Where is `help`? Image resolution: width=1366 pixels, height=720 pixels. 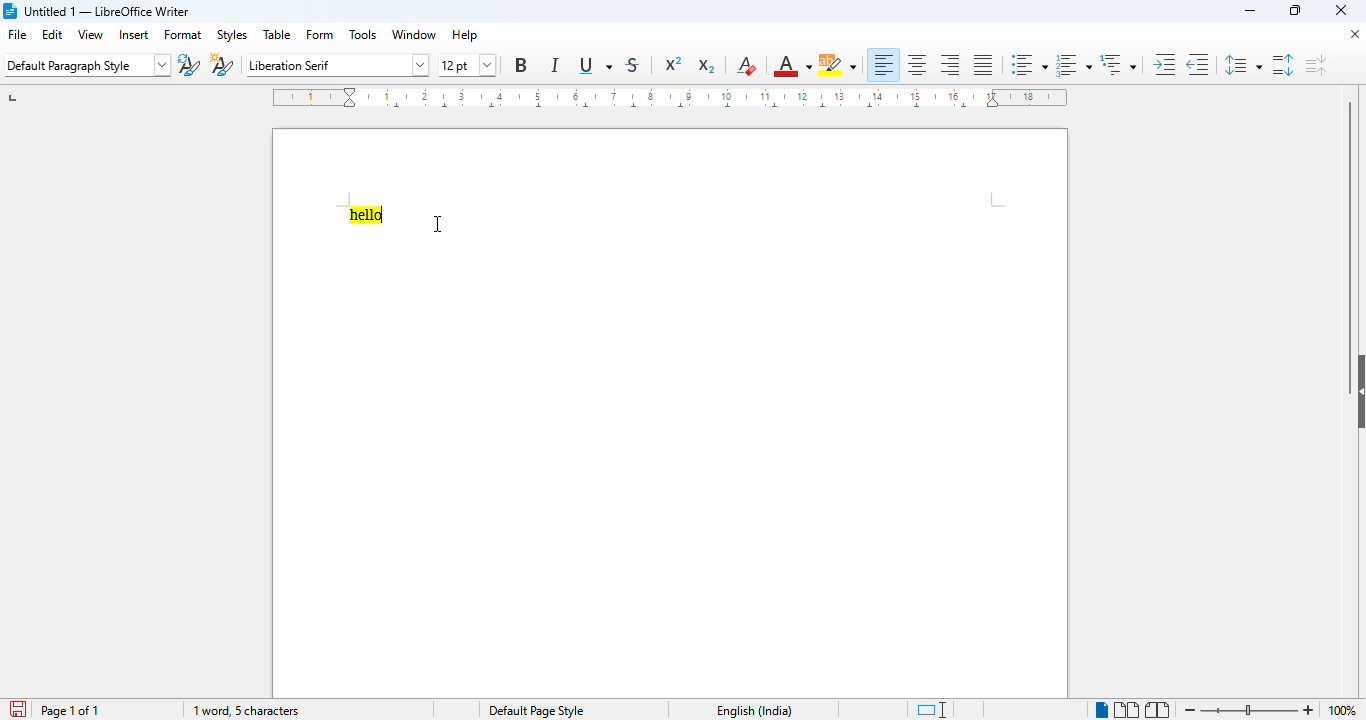 help is located at coordinates (465, 35).